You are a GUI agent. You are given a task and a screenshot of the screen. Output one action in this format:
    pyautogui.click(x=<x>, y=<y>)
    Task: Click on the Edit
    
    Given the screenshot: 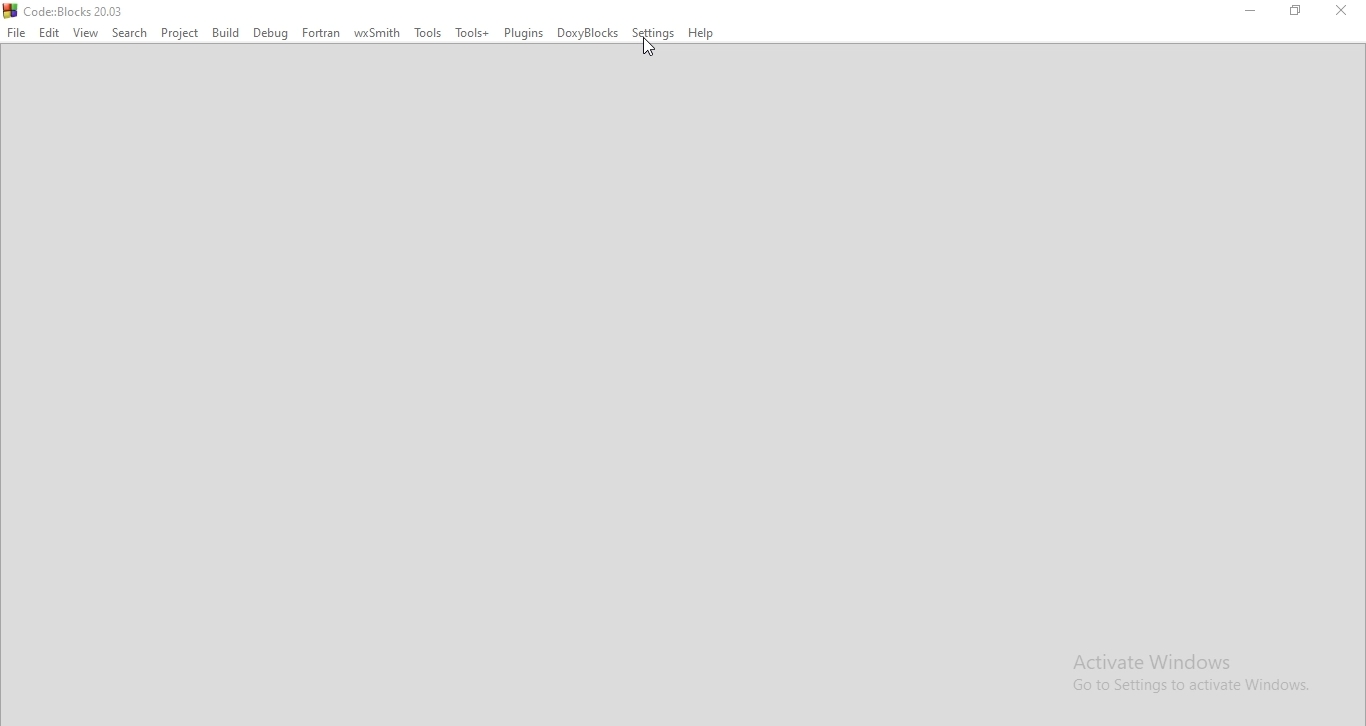 What is the action you would take?
    pyautogui.click(x=49, y=33)
    